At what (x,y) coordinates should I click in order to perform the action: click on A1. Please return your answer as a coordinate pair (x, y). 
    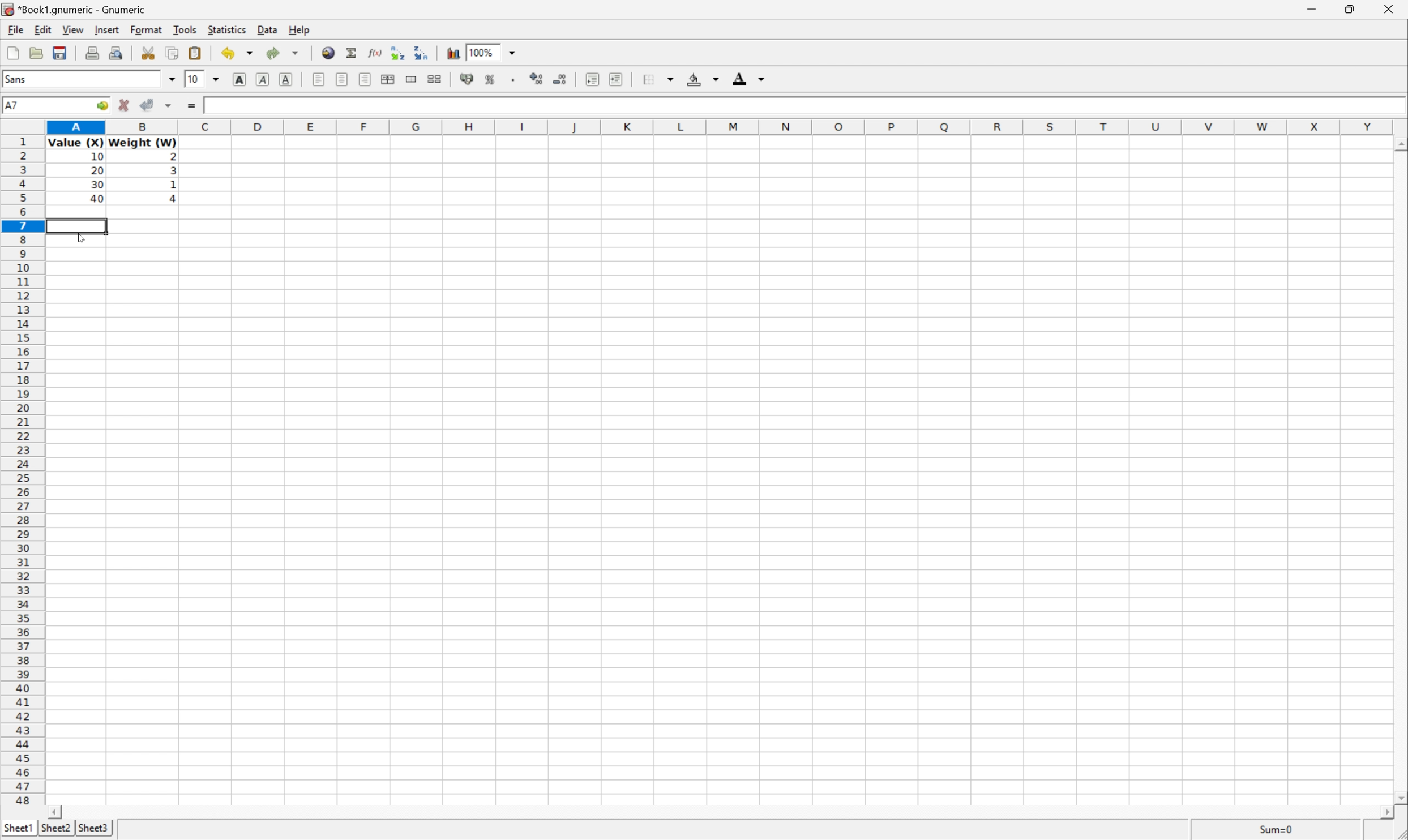
    Looking at the image, I should click on (14, 103).